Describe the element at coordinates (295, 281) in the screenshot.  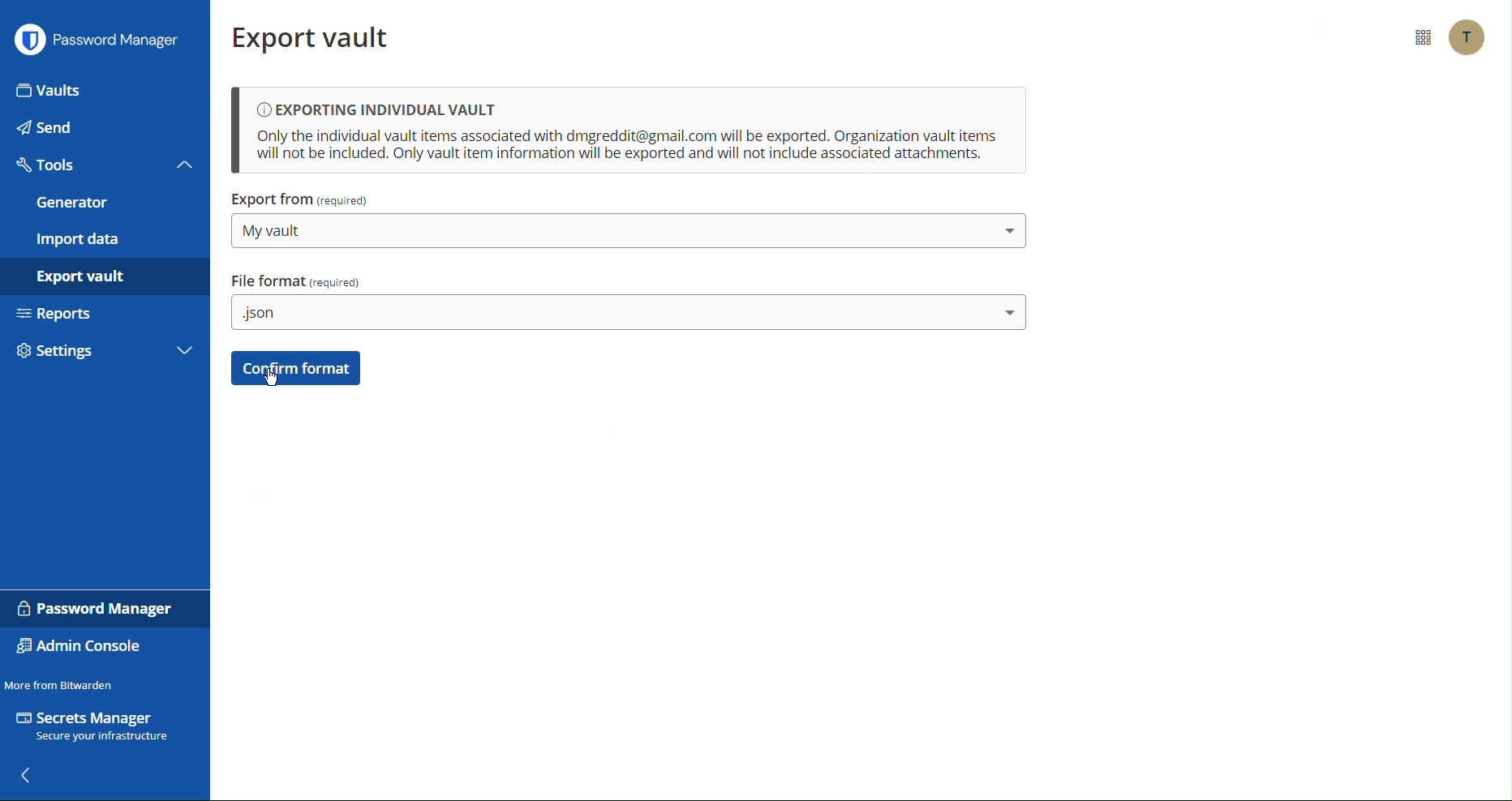
I see `File Format` at that location.